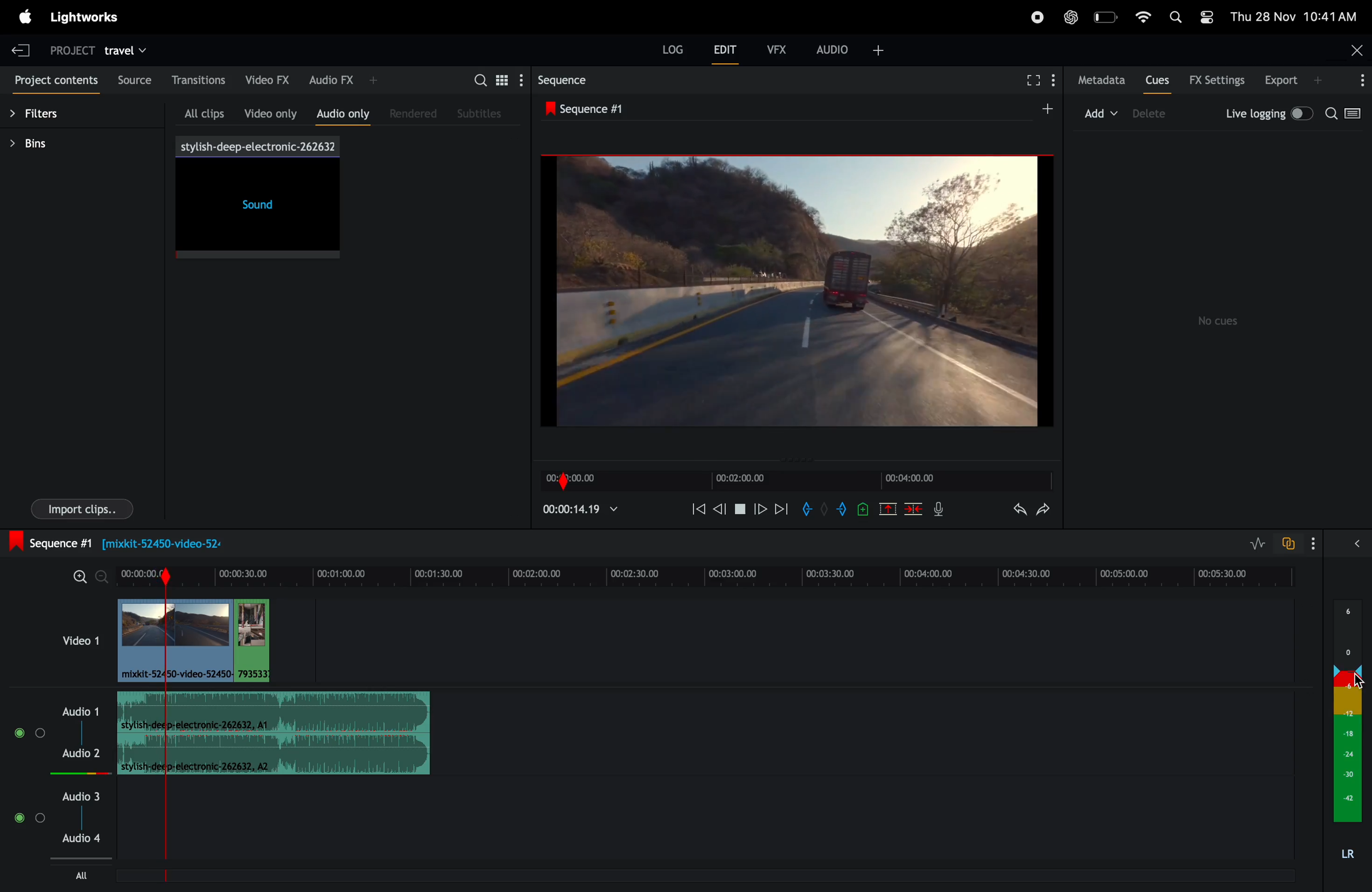 This screenshot has width=1372, height=892. Describe the element at coordinates (267, 79) in the screenshot. I see `video fx` at that location.